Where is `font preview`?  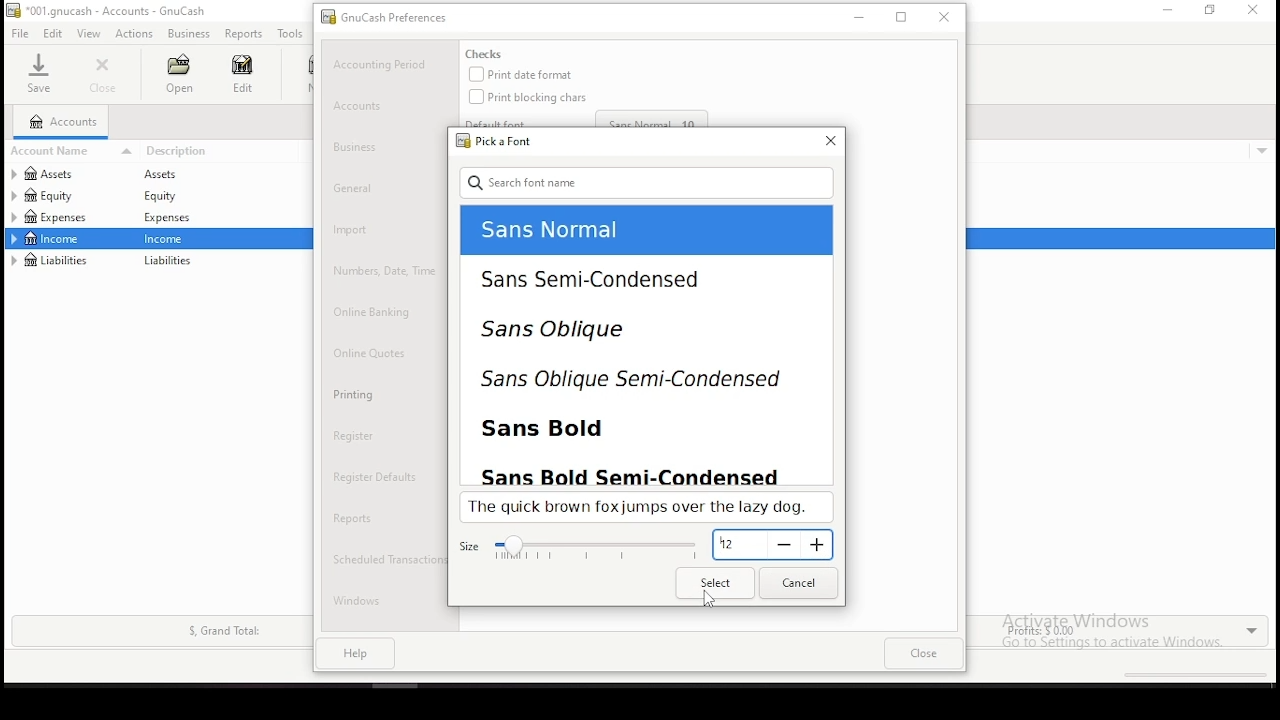 font preview is located at coordinates (644, 508).